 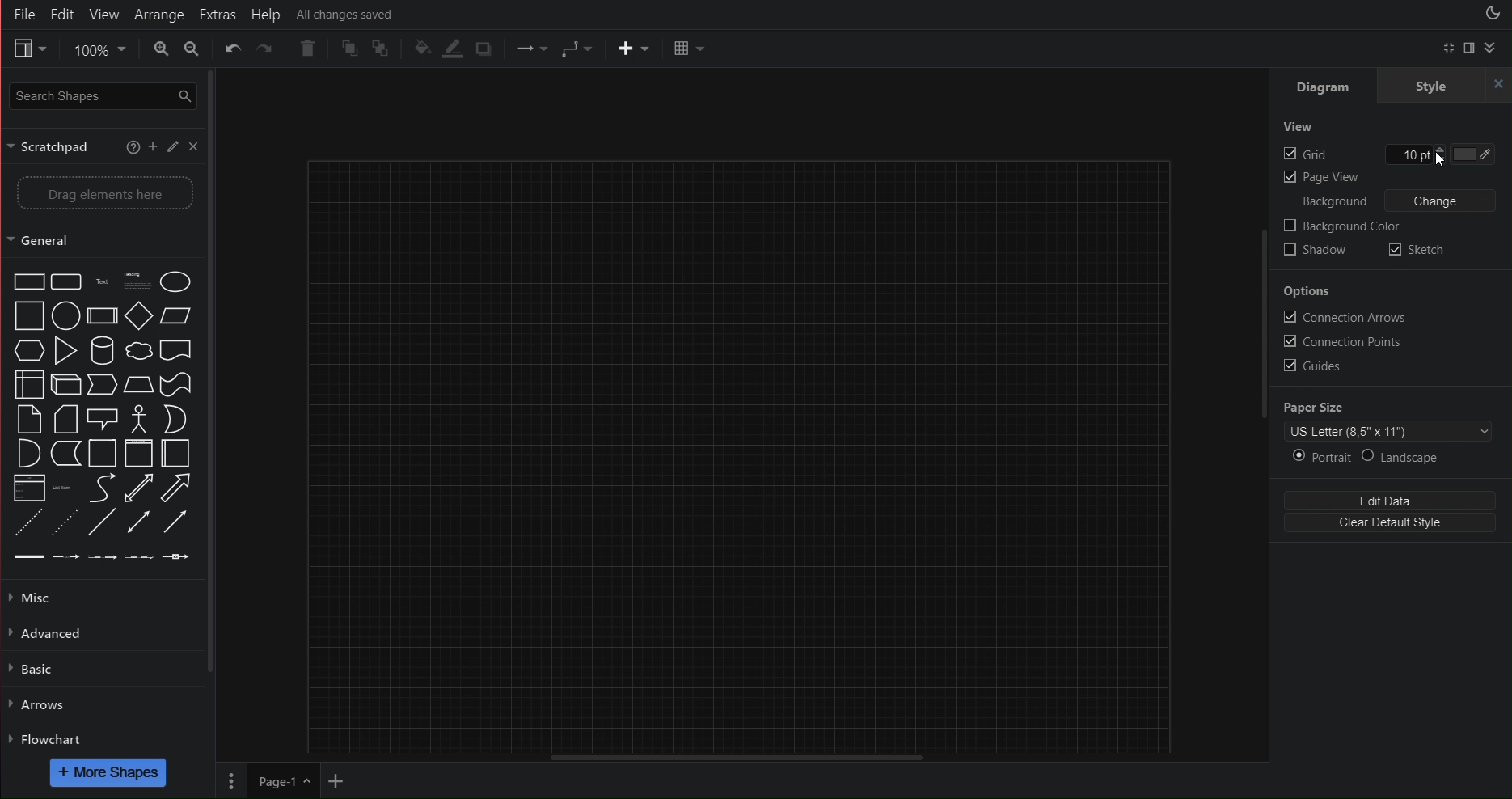 I want to click on View, so click(x=1298, y=124).